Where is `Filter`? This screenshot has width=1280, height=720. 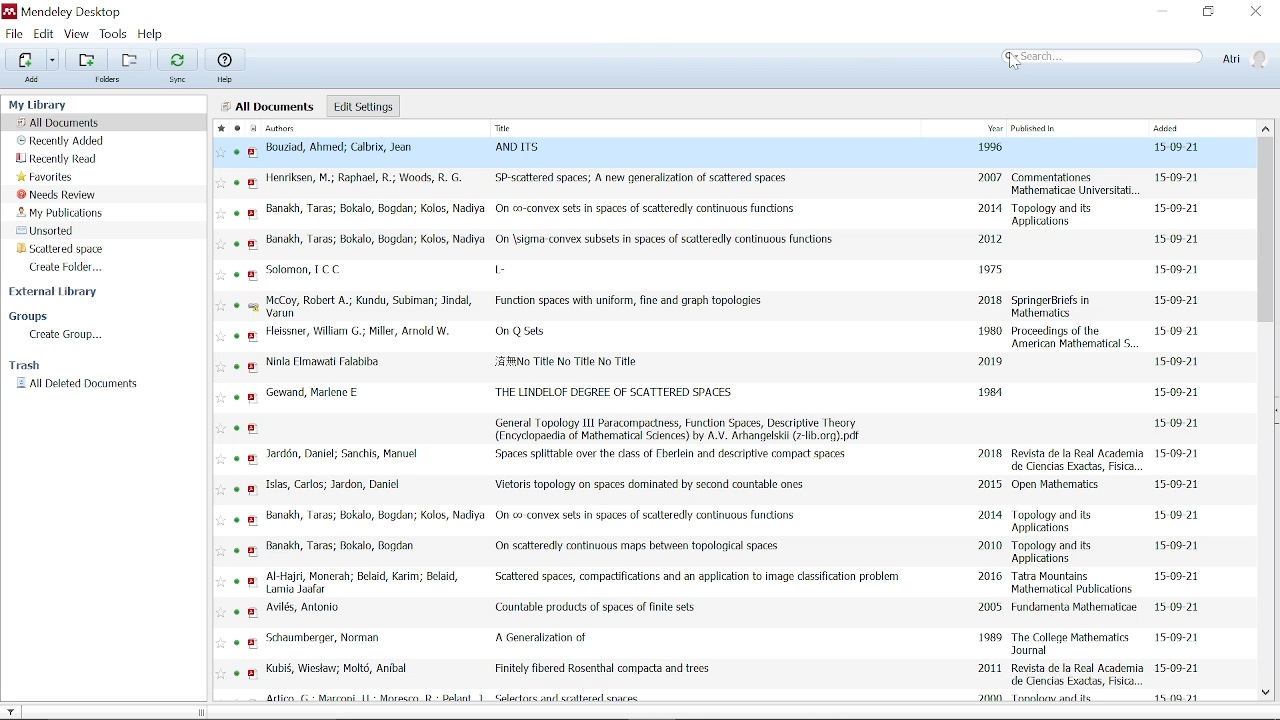
Filter is located at coordinates (12, 711).